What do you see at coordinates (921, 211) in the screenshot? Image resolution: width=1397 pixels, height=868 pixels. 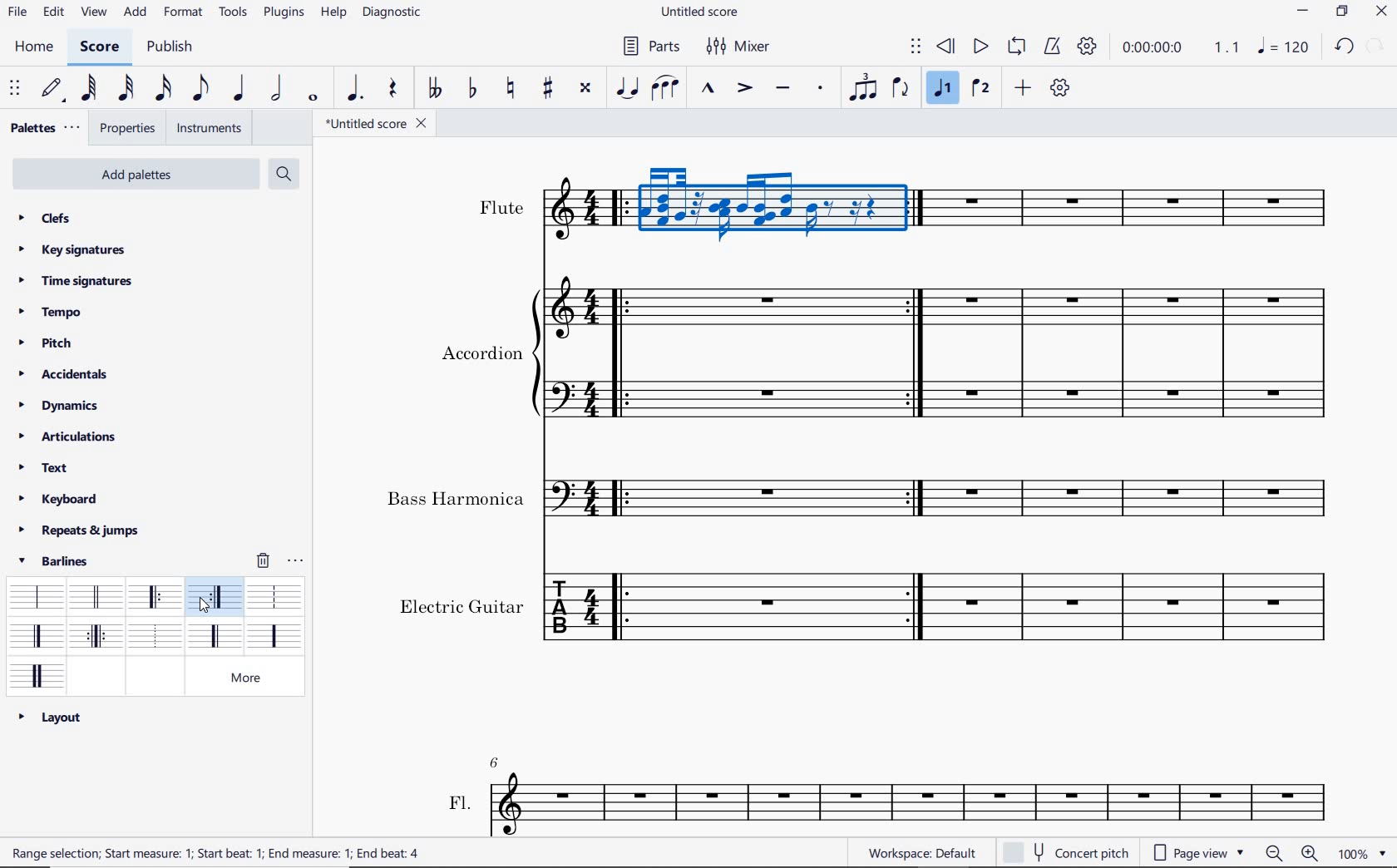 I see `right (end) repeat sign added` at bounding box center [921, 211].